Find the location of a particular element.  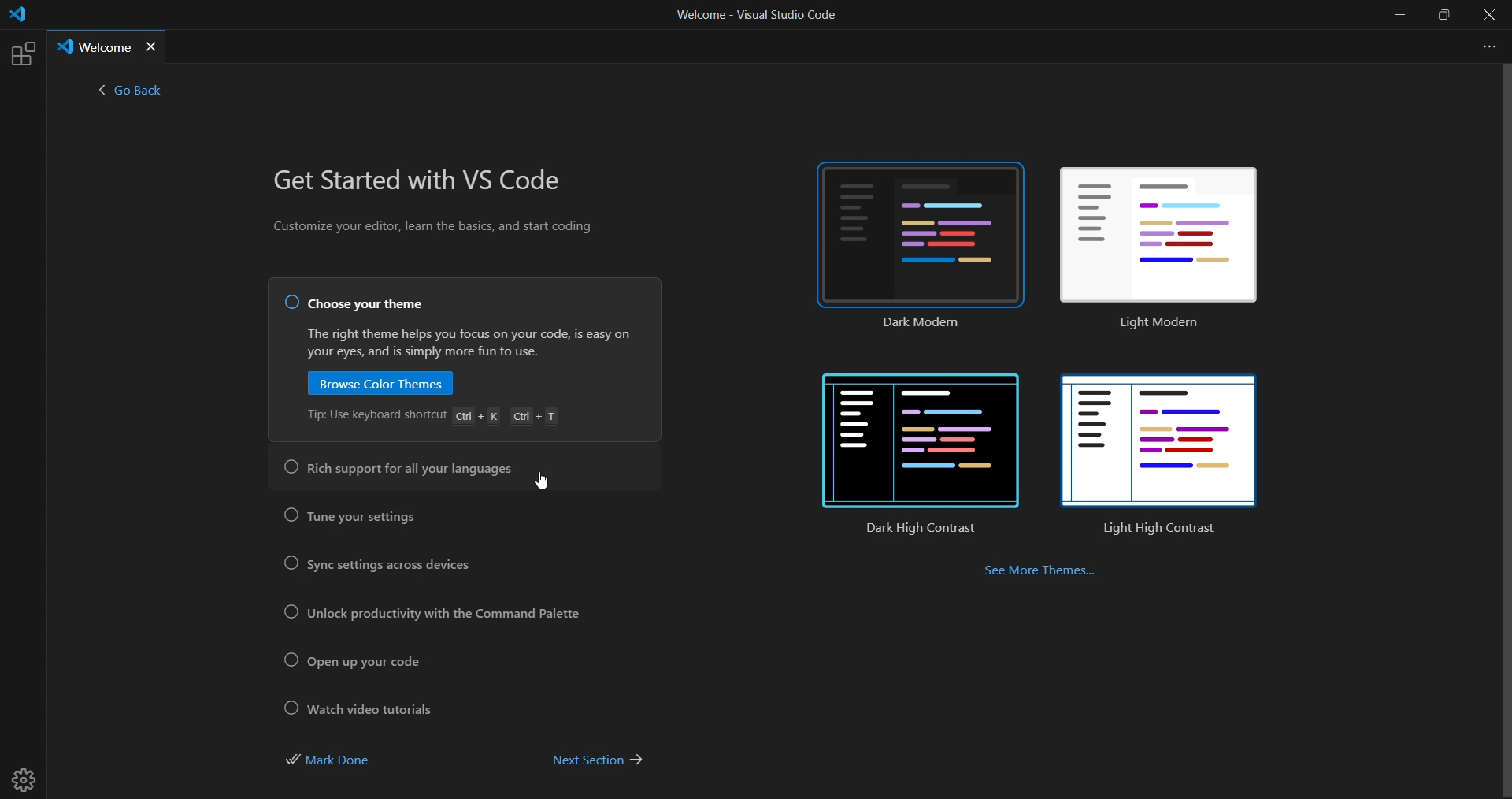

watch video tutorial is located at coordinates (361, 706).